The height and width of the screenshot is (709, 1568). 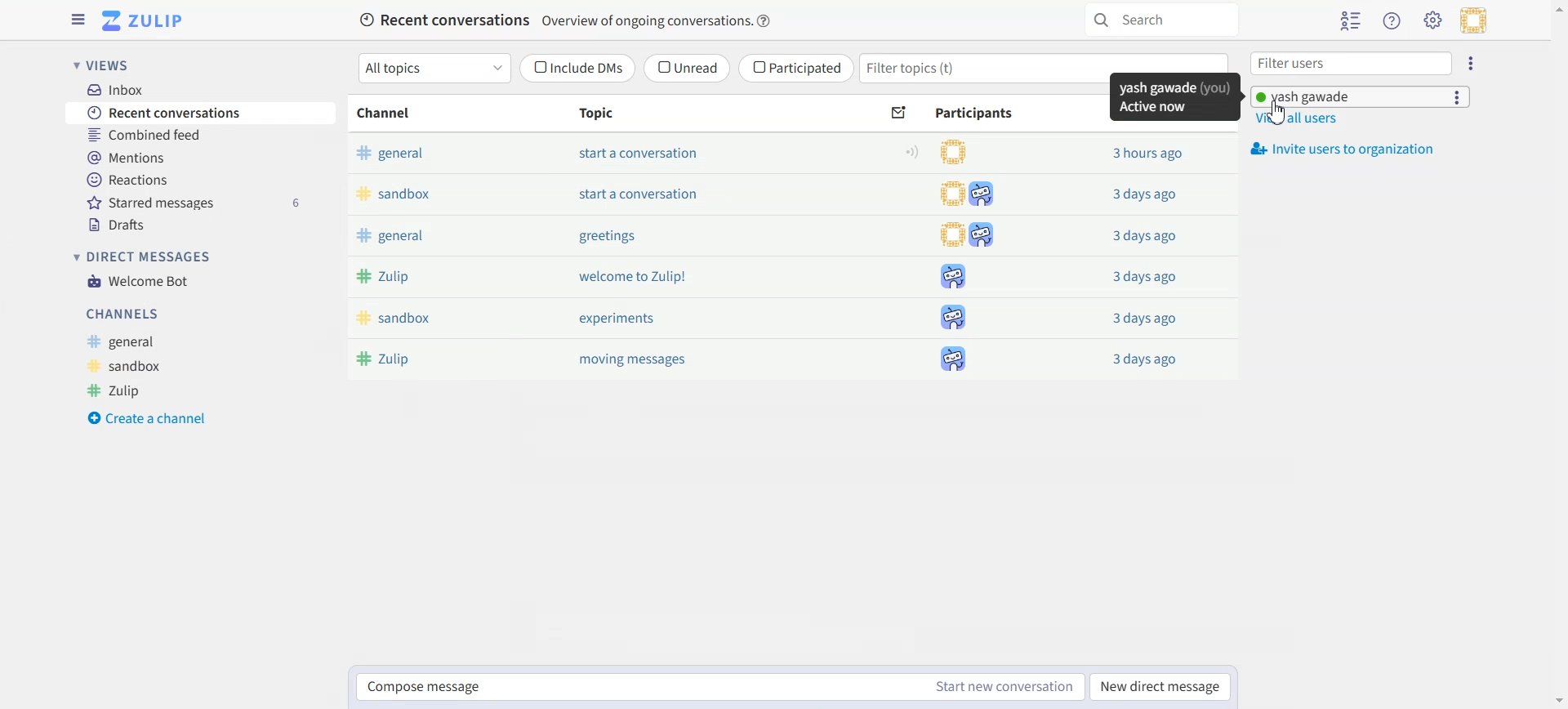 I want to click on New direct message, so click(x=1161, y=688).